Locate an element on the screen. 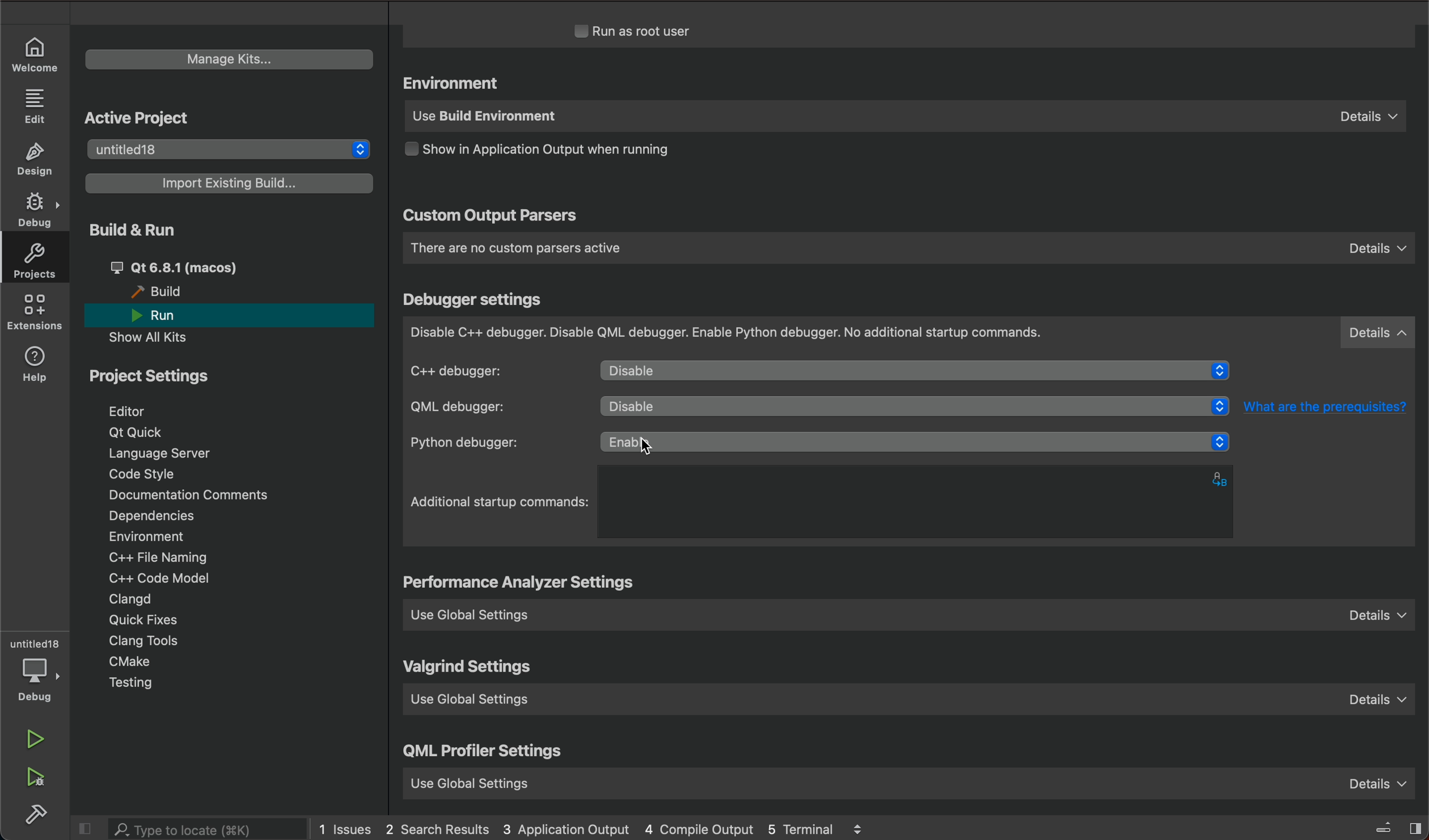 The width and height of the screenshot is (1429, 840). DESIGN is located at coordinates (39, 160).